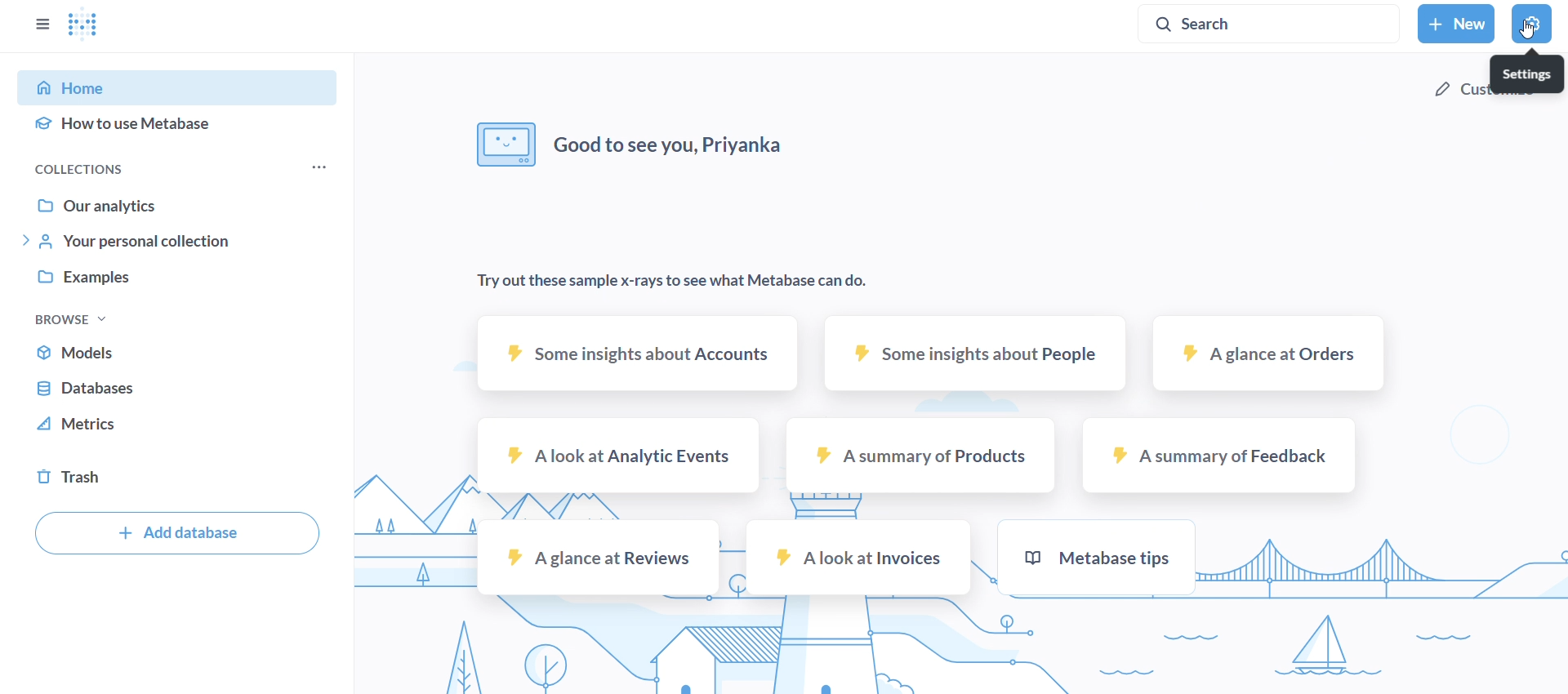 The width and height of the screenshot is (1568, 694). Describe the element at coordinates (1270, 24) in the screenshot. I see `search` at that location.